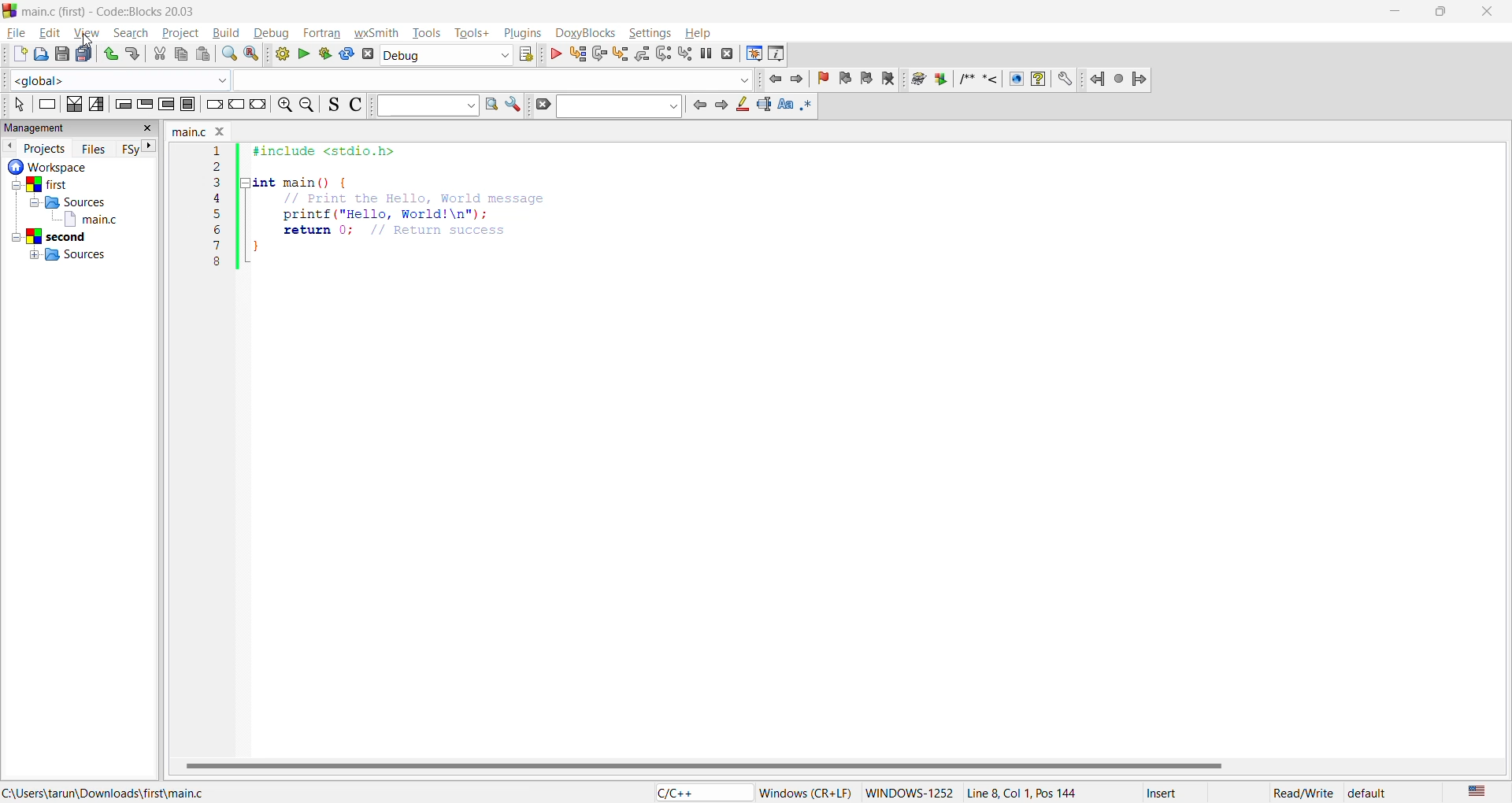 This screenshot has height=803, width=1512. Describe the element at coordinates (309, 106) in the screenshot. I see `zoom out` at that location.